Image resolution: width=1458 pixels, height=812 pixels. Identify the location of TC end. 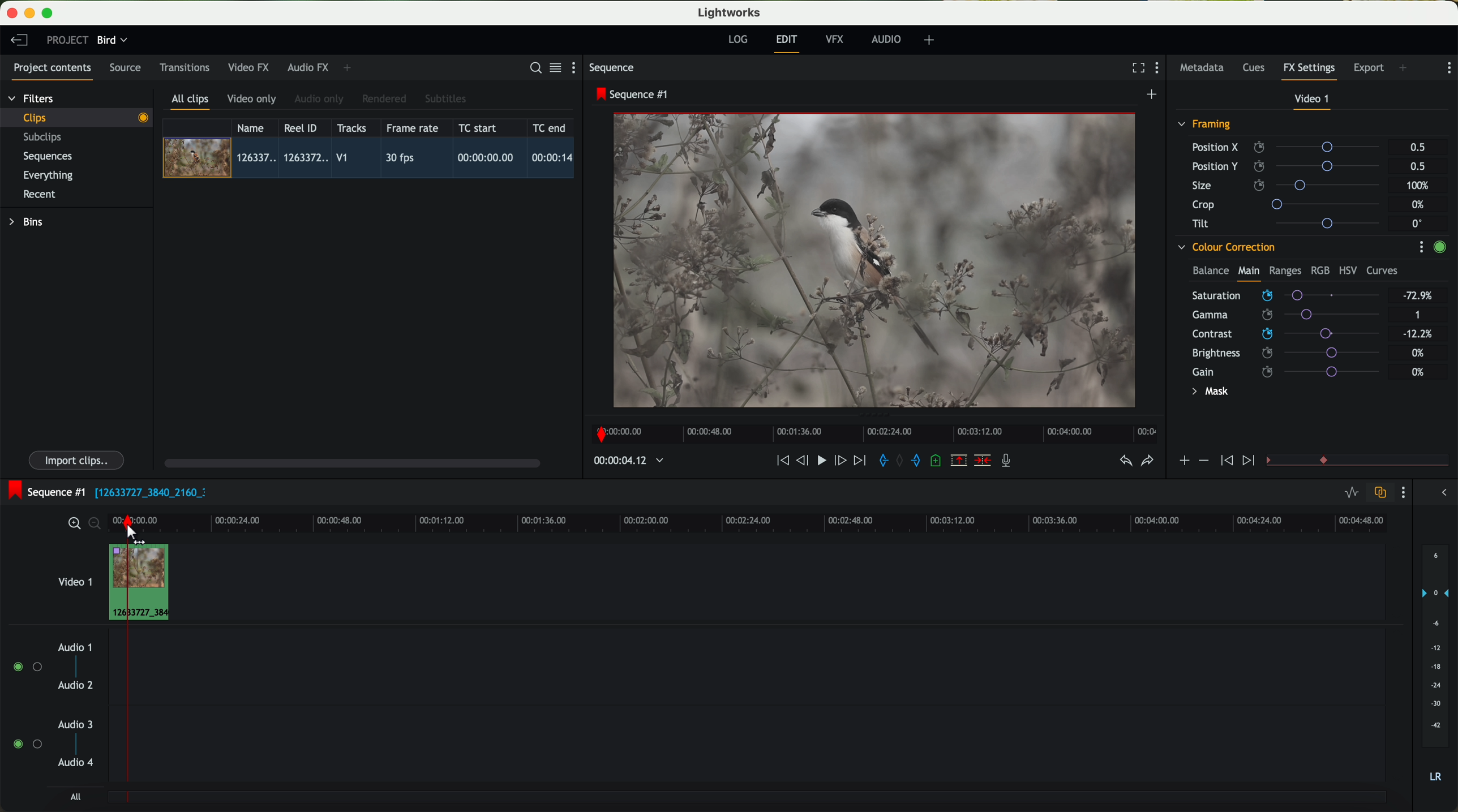
(550, 127).